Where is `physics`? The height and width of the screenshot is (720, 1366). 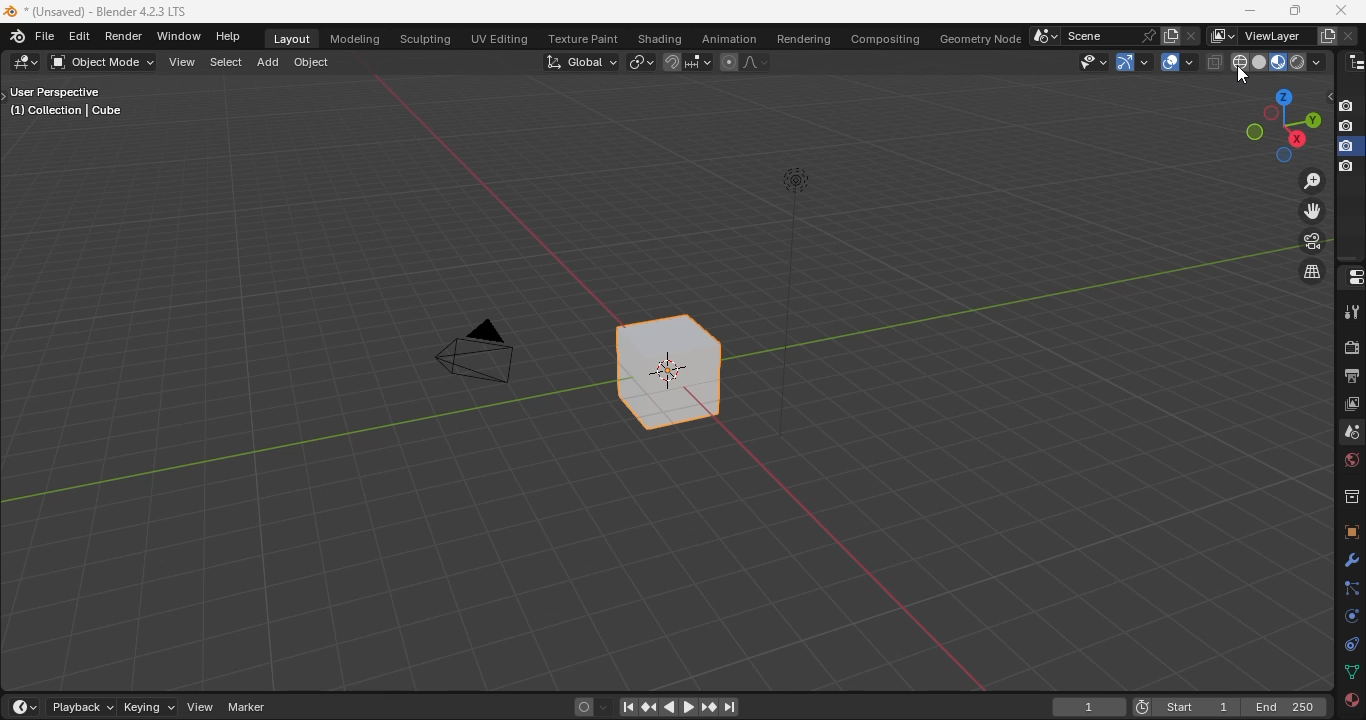
physics is located at coordinates (1349, 616).